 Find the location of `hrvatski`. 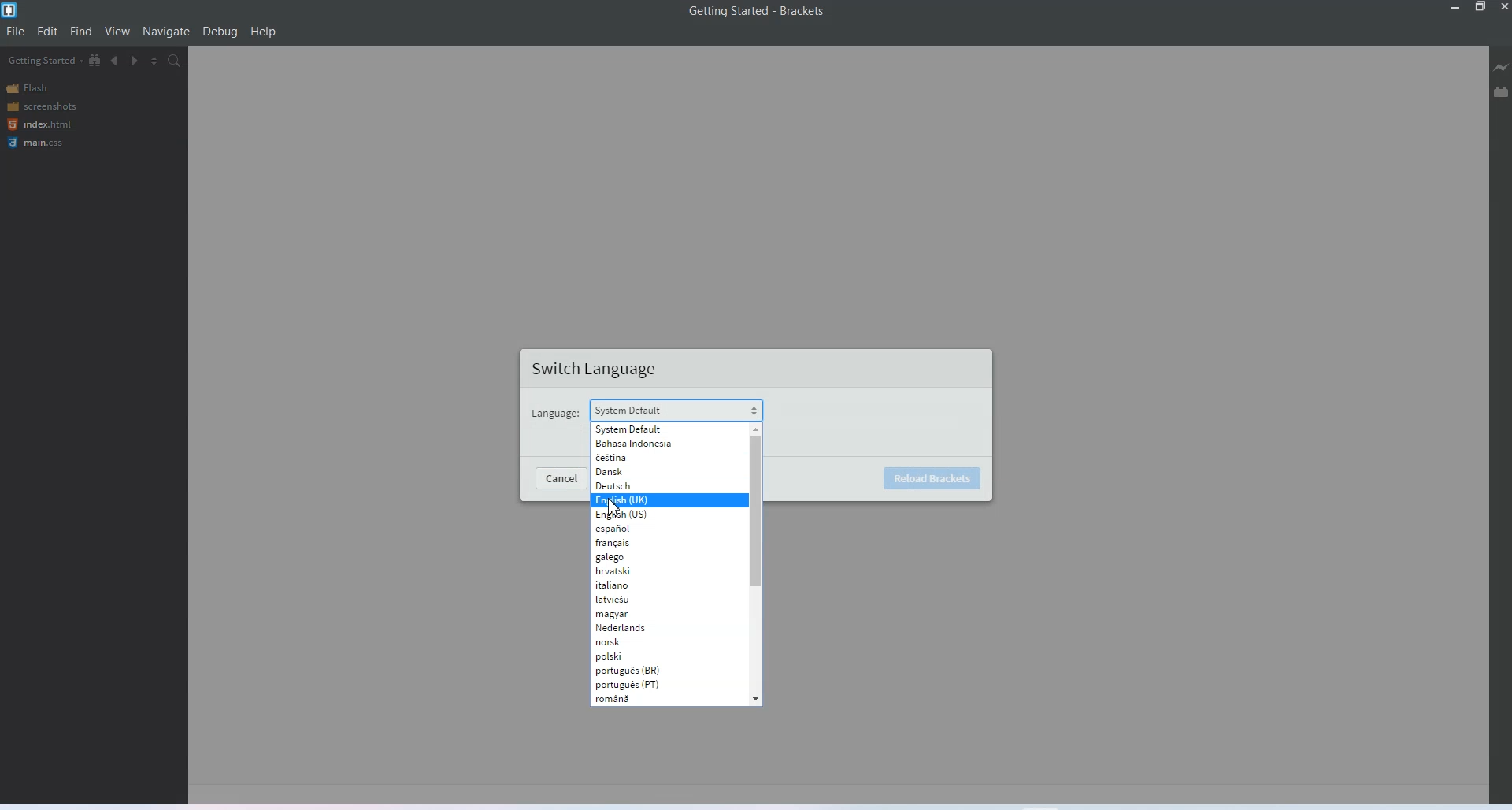

hrvatski is located at coordinates (654, 570).